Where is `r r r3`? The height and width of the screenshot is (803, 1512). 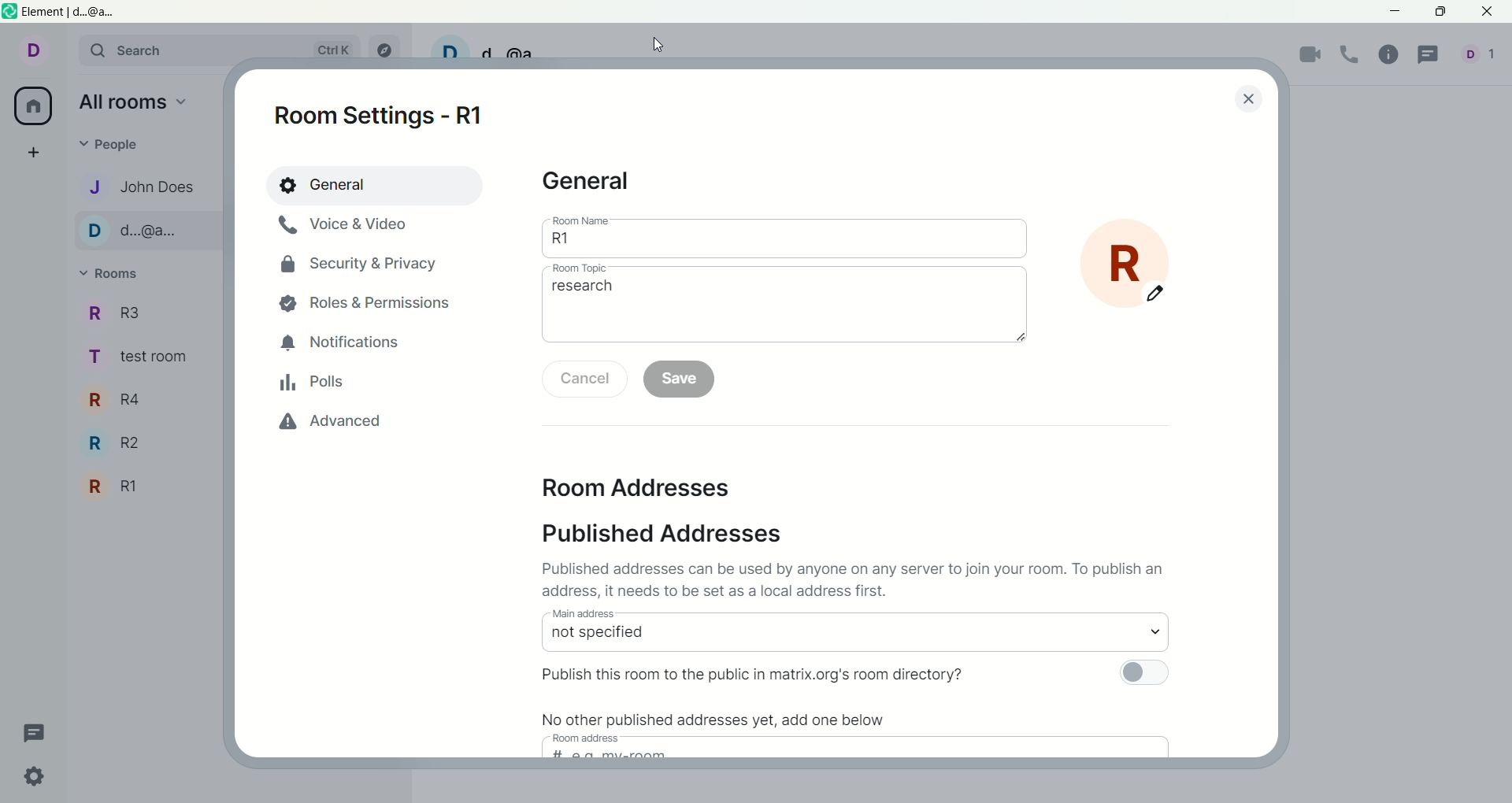 r r r3 is located at coordinates (125, 314).